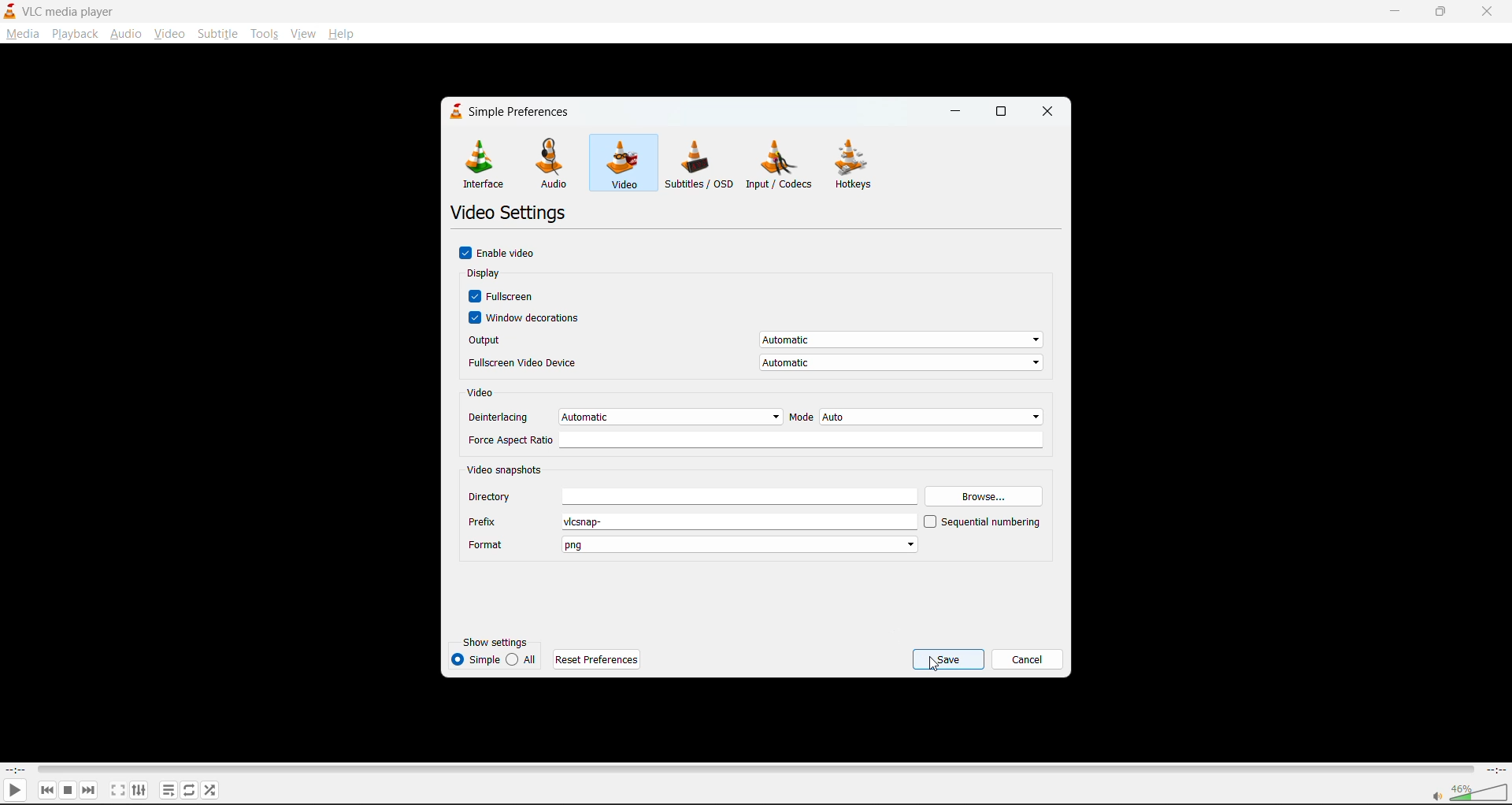  I want to click on minimize, so click(958, 112).